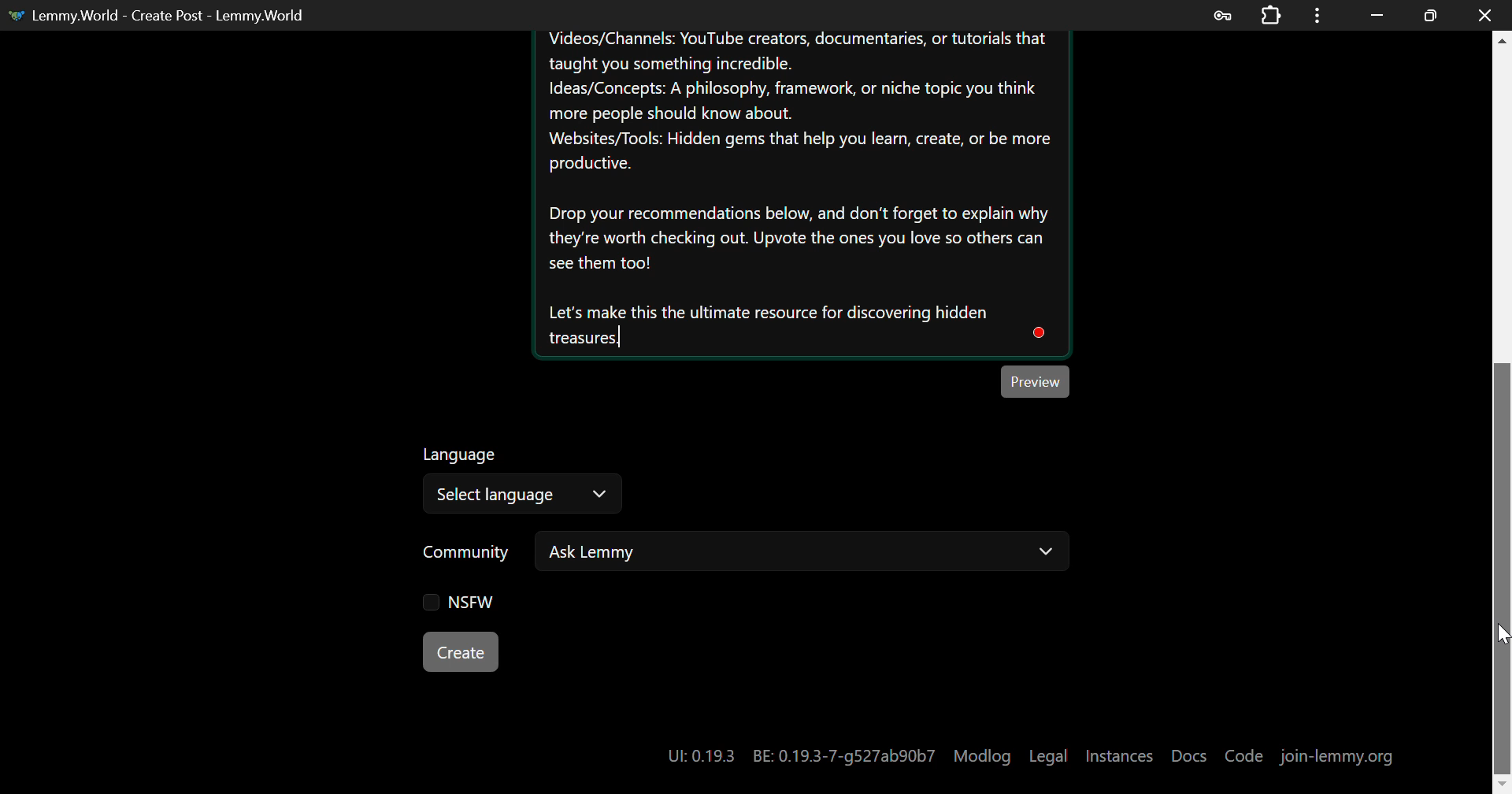 This screenshot has width=1512, height=794. I want to click on Legal, so click(1048, 756).